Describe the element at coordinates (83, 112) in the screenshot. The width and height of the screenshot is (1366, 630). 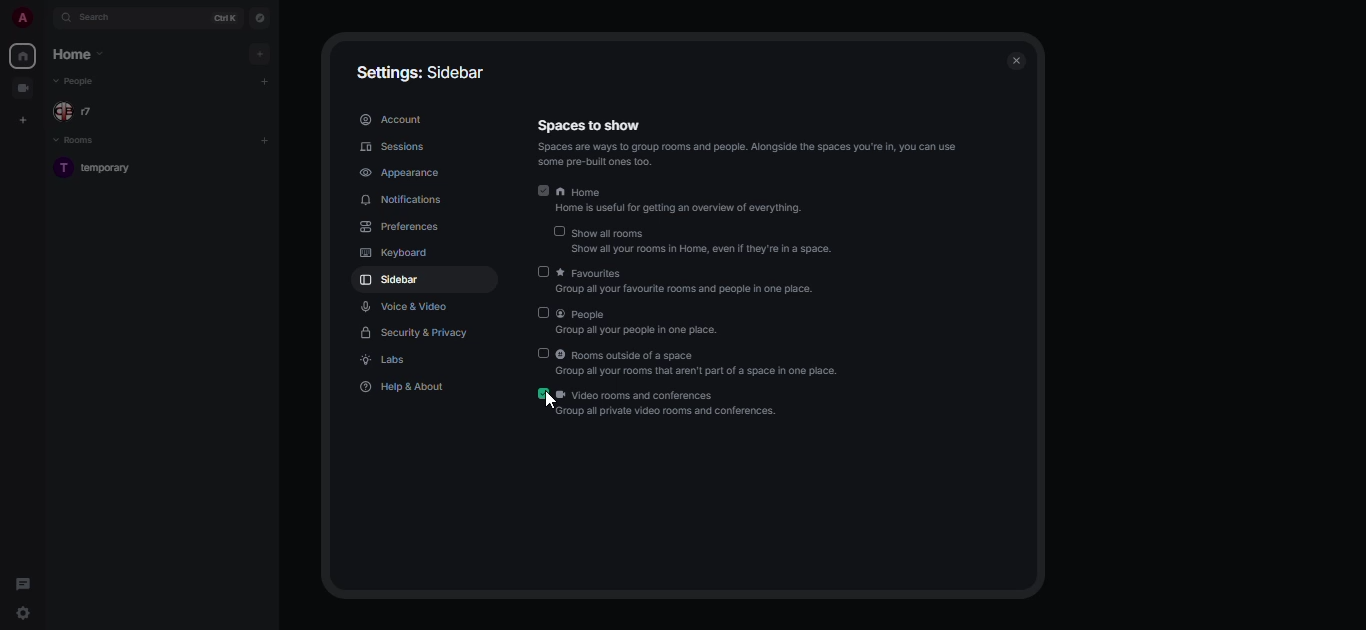
I see `people` at that location.